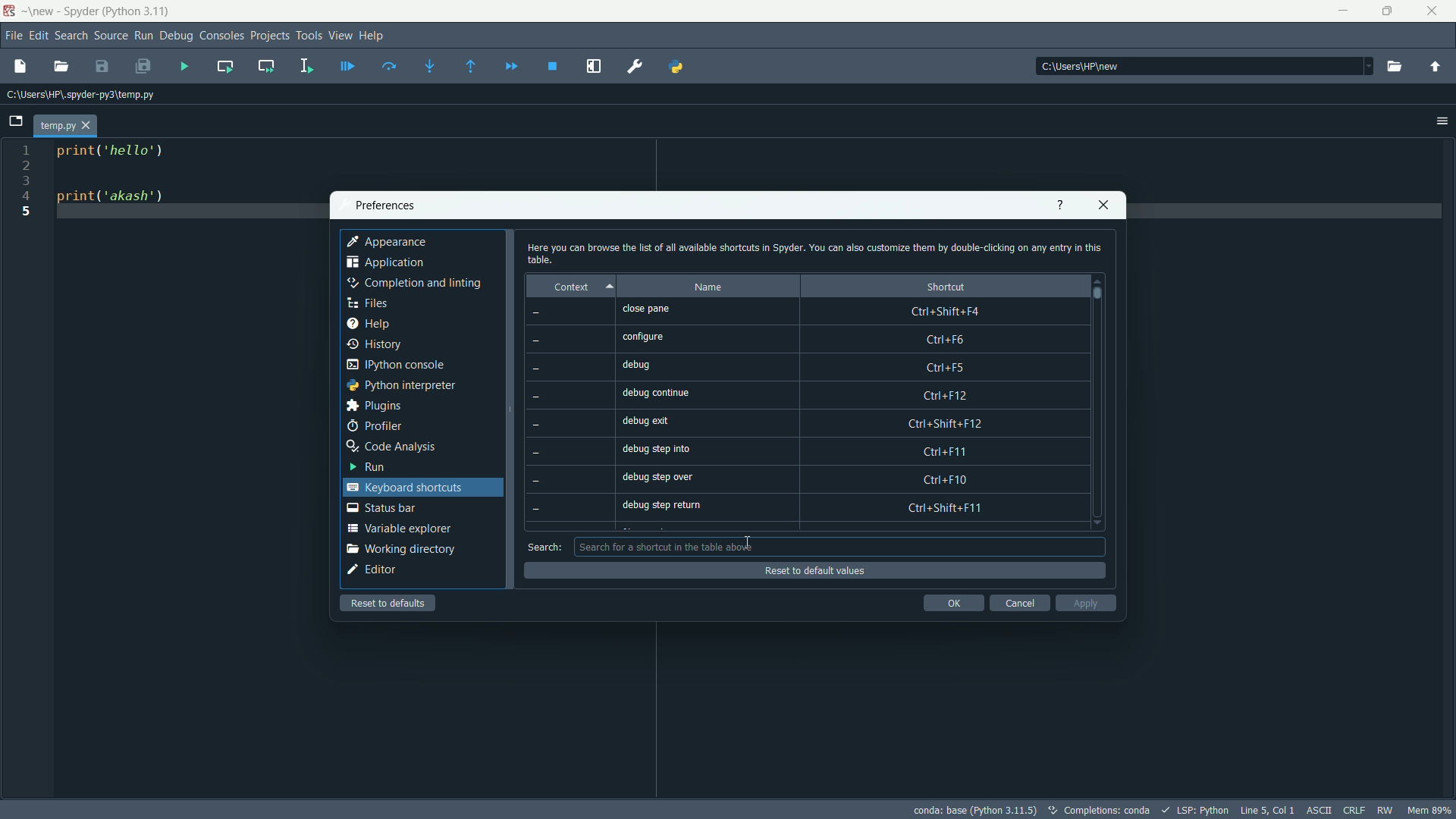 This screenshot has width=1456, height=819. I want to click on completion and linting, so click(416, 284).